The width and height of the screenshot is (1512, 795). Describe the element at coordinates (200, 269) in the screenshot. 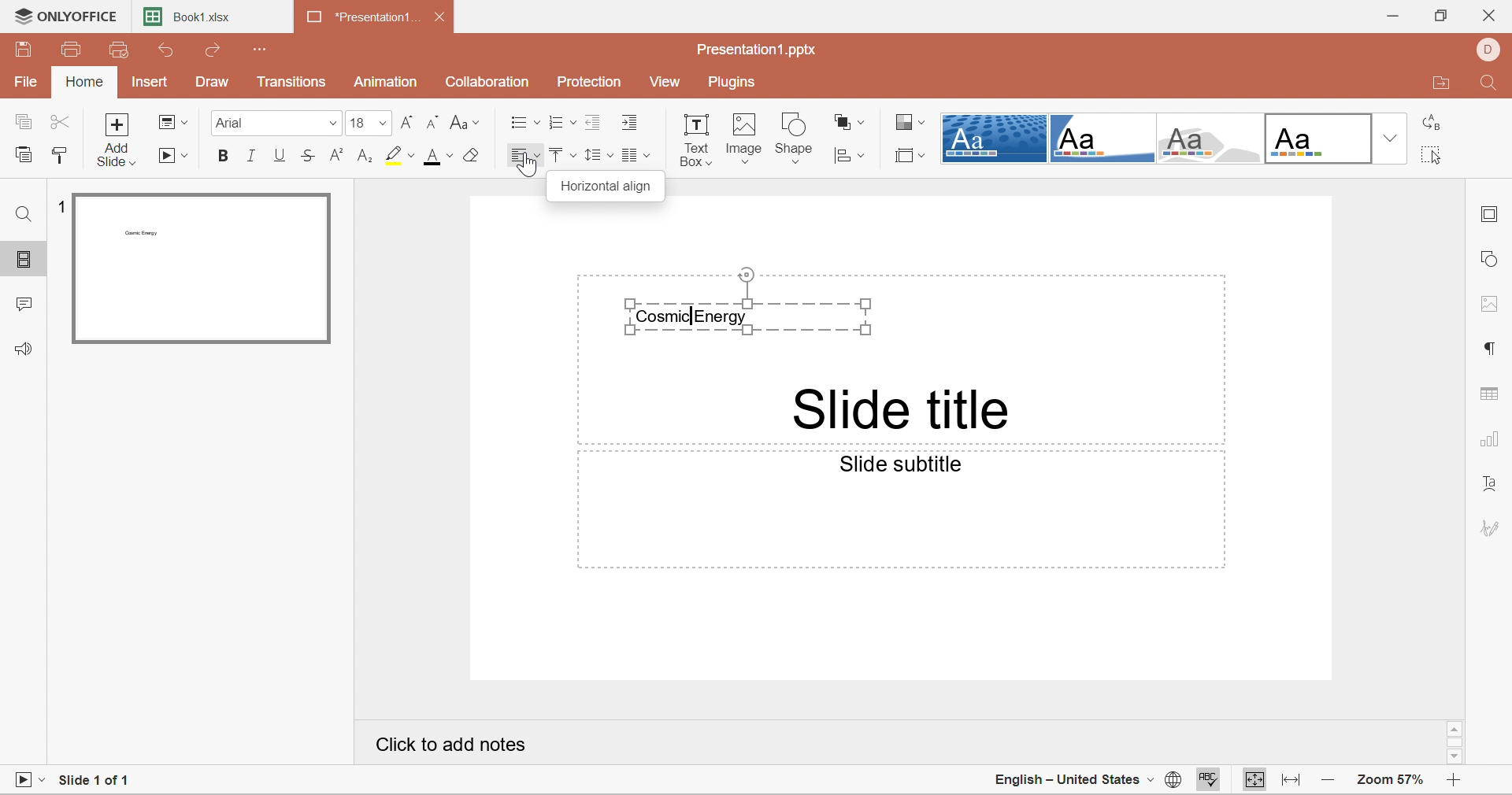

I see `Slide 1` at that location.